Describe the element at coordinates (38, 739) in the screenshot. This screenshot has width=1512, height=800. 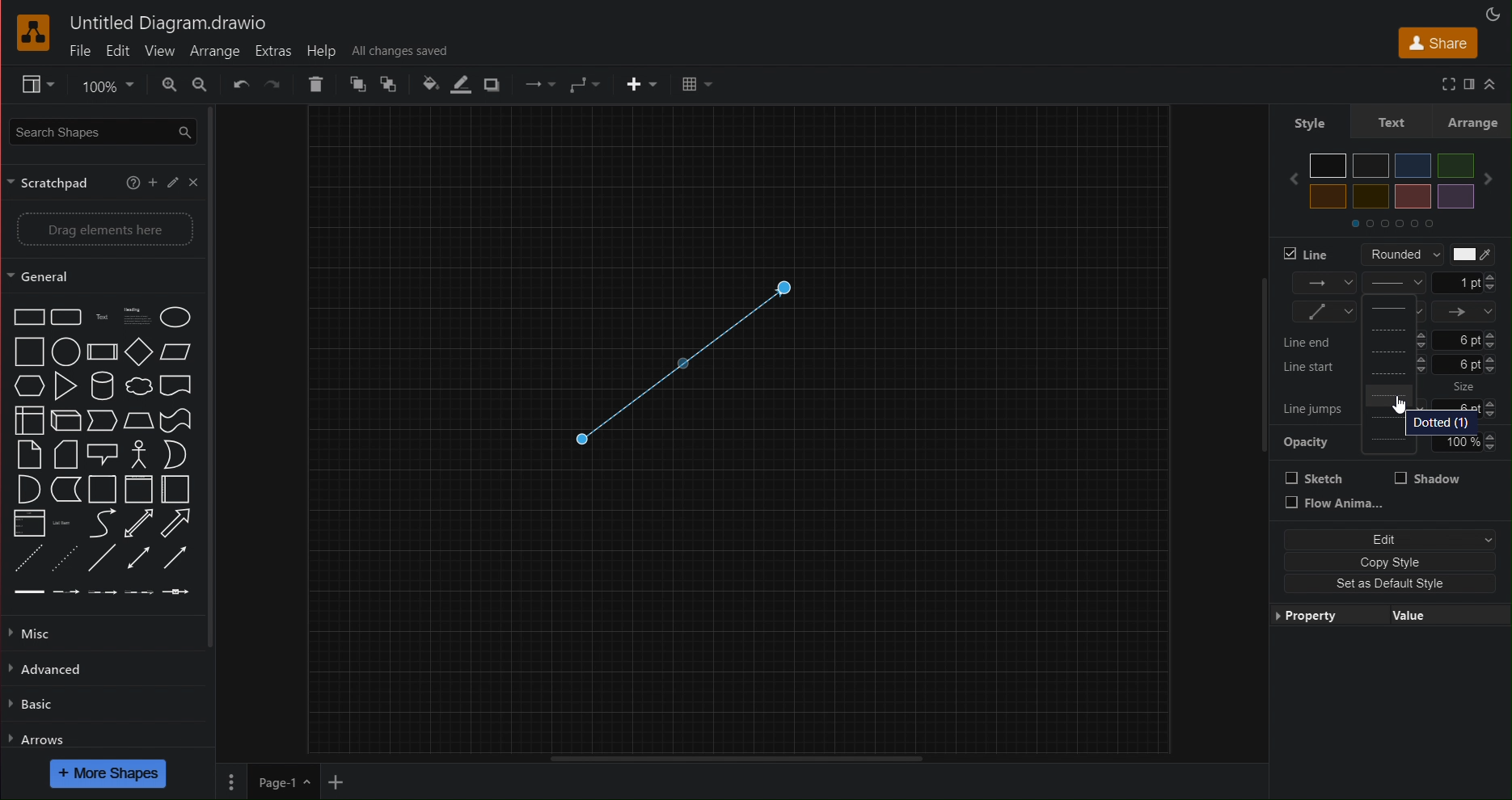
I see `Arrows` at that location.